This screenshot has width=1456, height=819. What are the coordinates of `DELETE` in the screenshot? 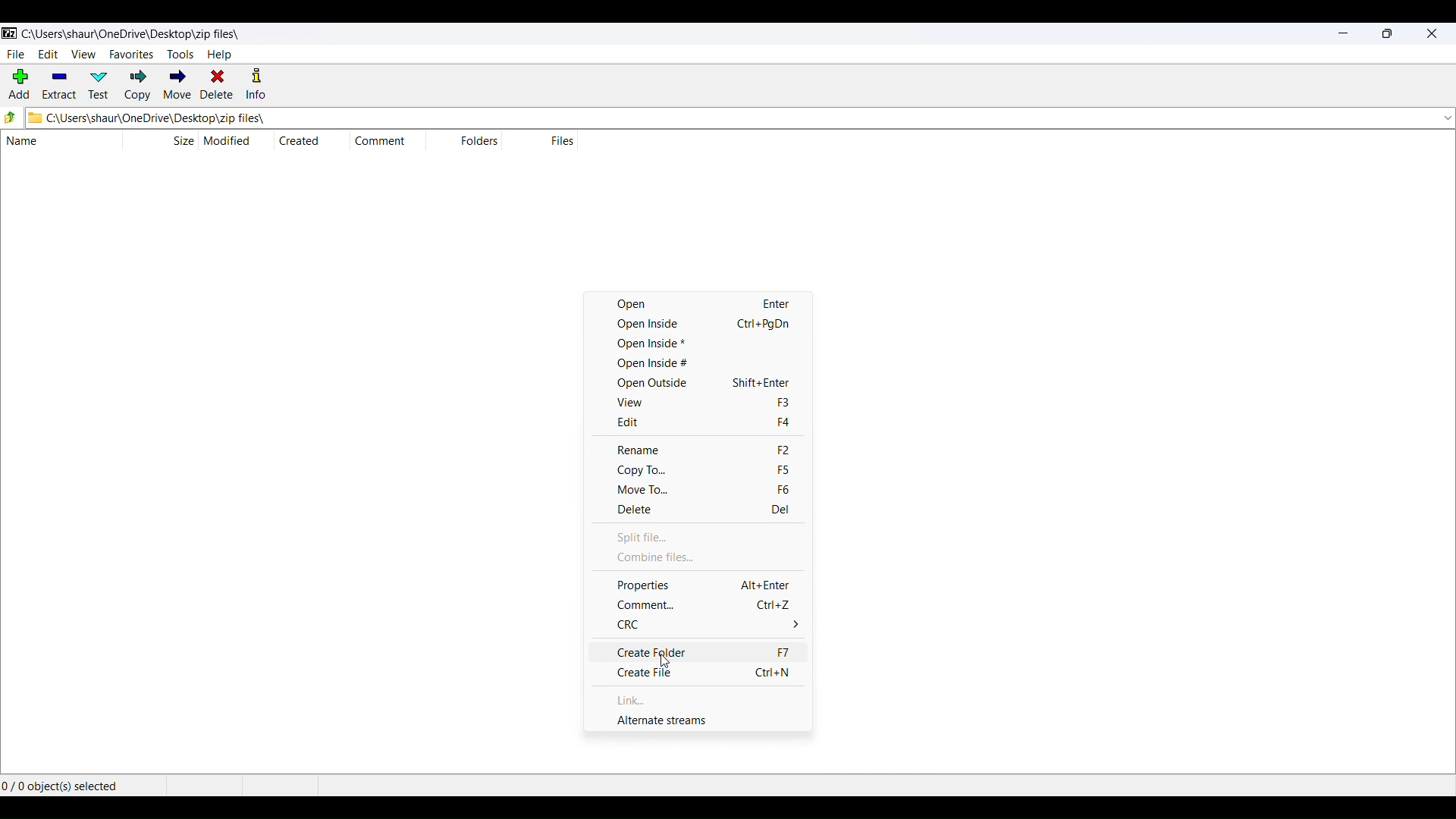 It's located at (712, 511).